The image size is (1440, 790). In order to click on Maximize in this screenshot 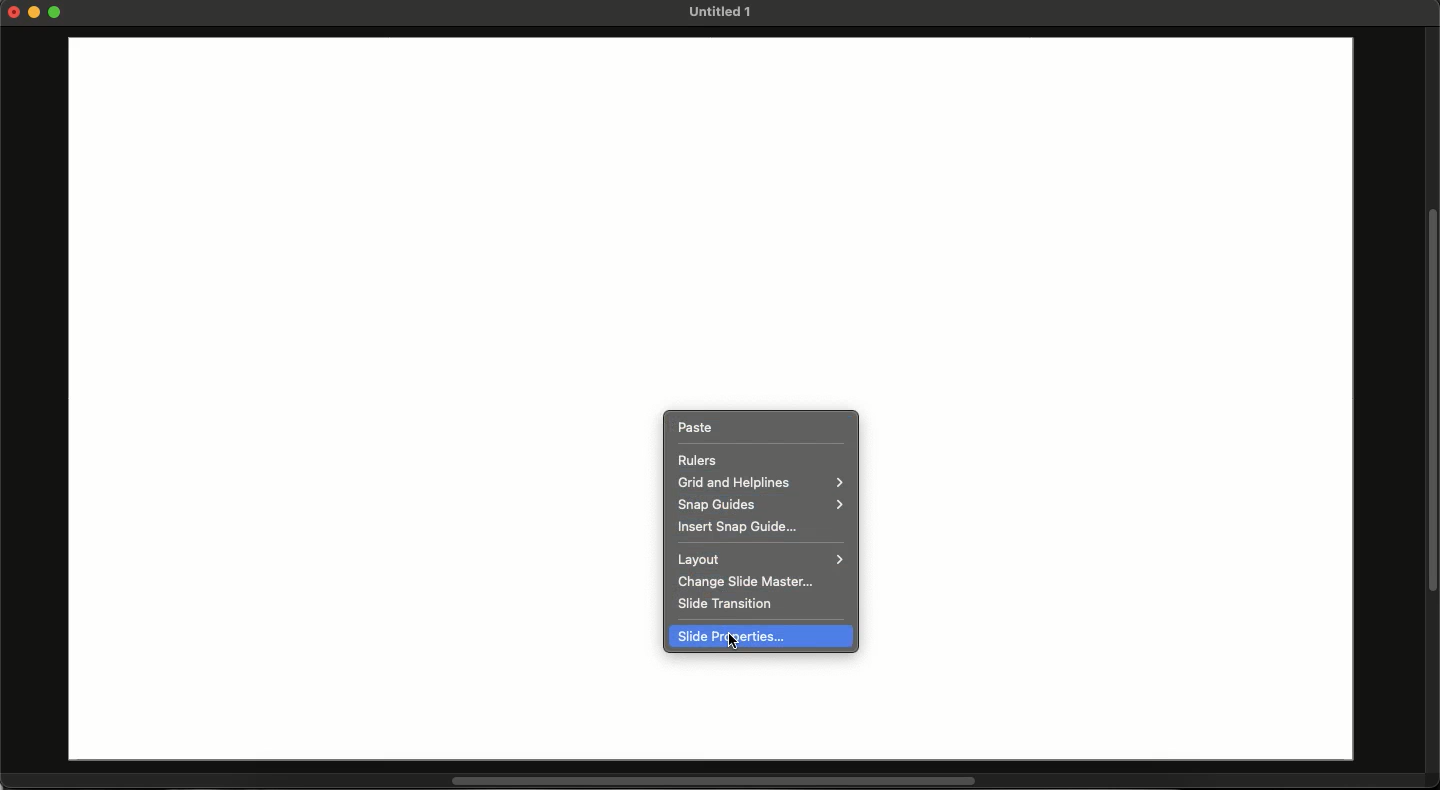, I will do `click(57, 14)`.